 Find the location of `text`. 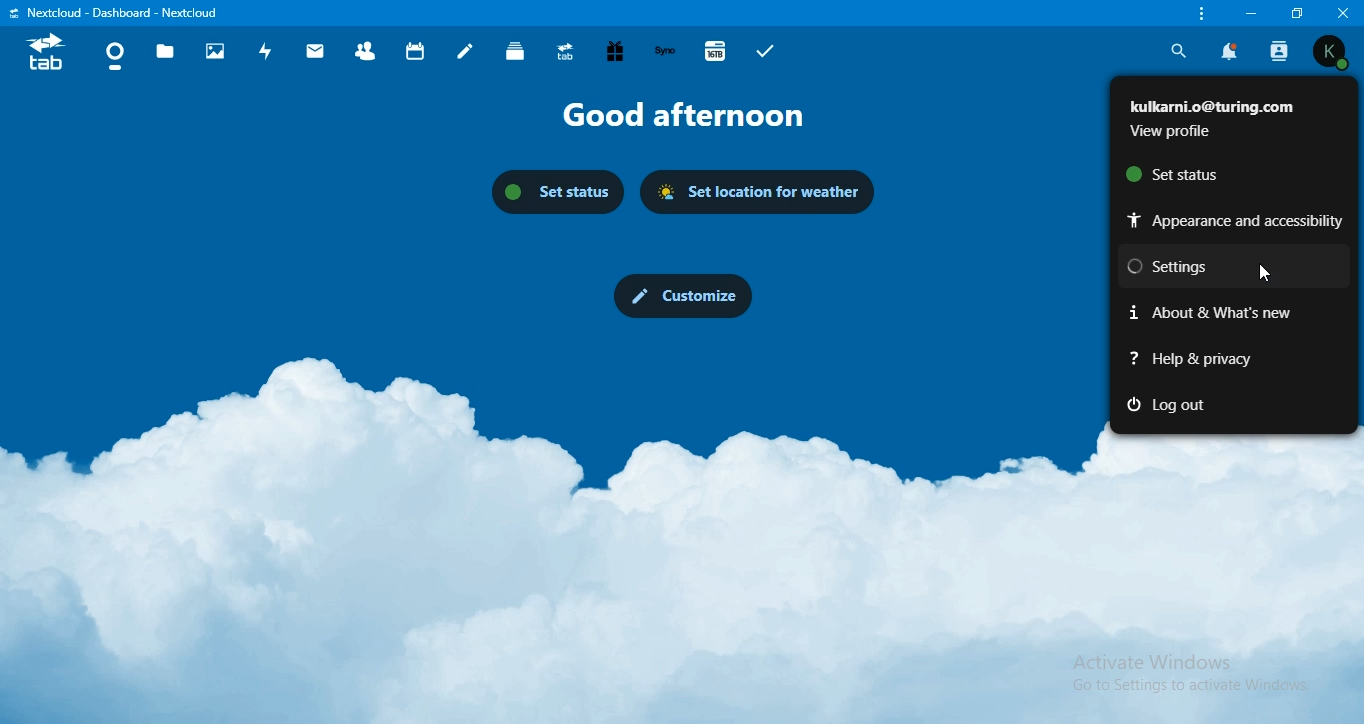

text is located at coordinates (1215, 120).